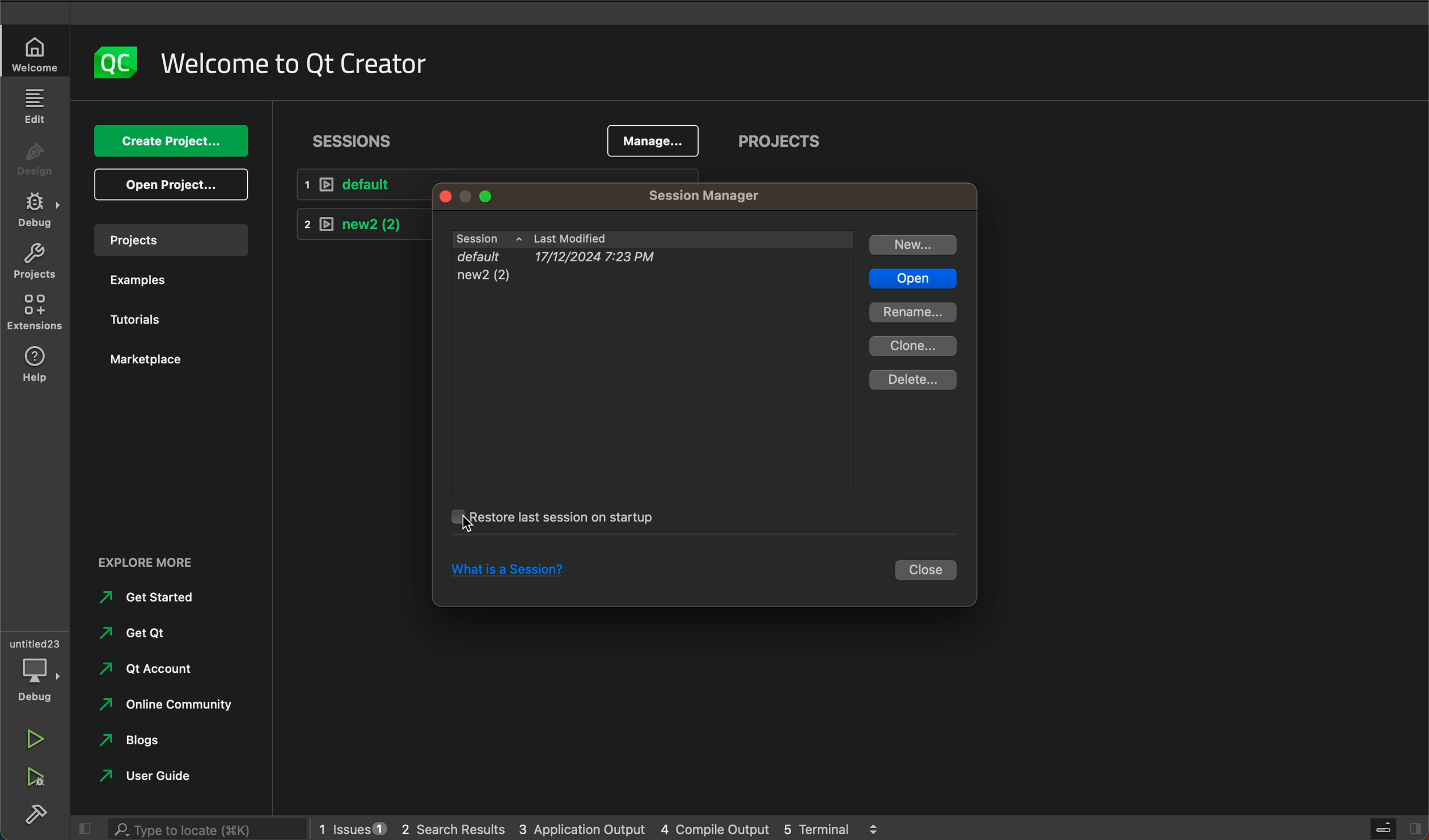  What do you see at coordinates (296, 62) in the screenshot?
I see `welcome` at bounding box center [296, 62].